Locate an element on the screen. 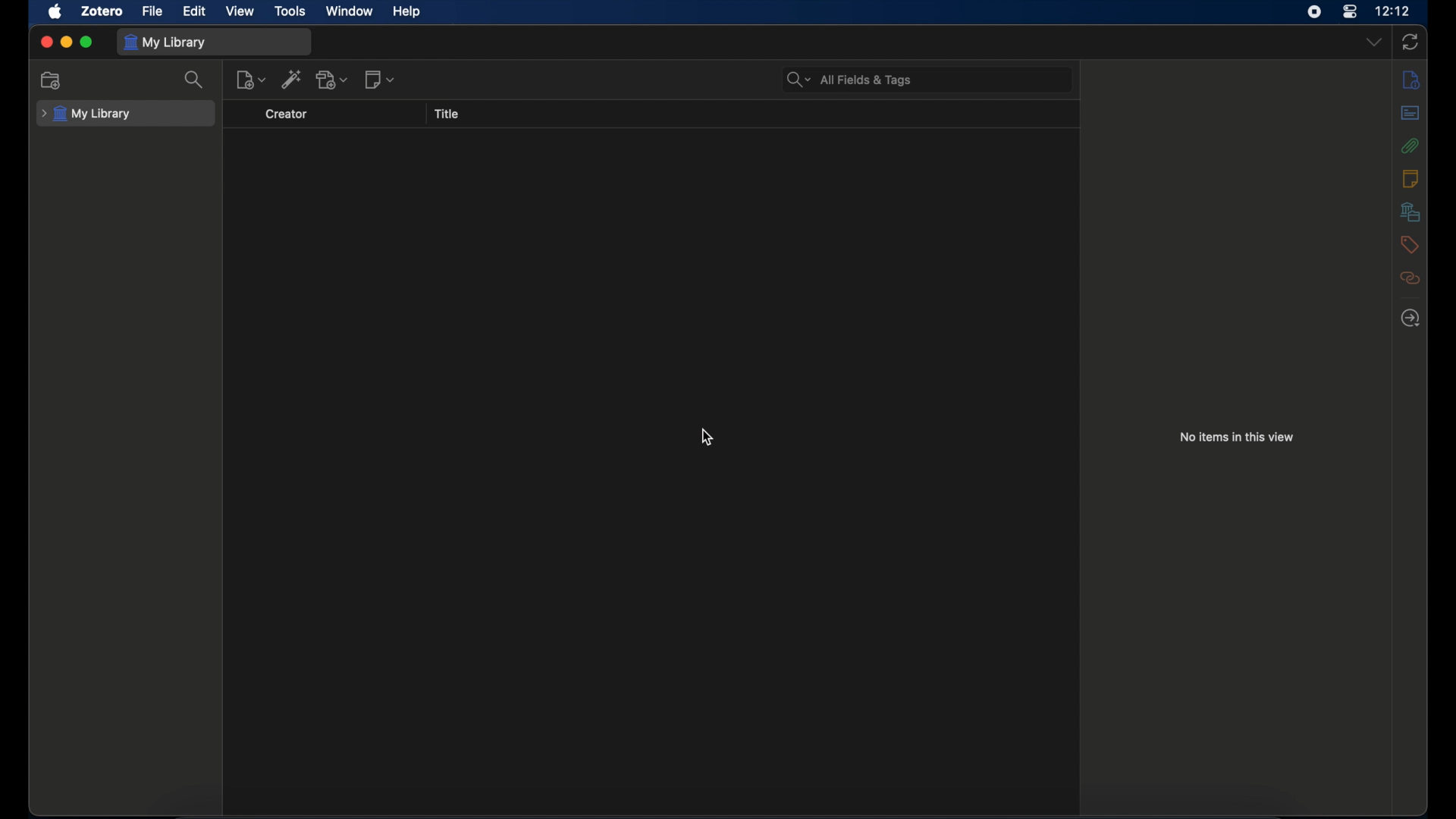 This screenshot has height=819, width=1456. screen recorder is located at coordinates (1313, 11).